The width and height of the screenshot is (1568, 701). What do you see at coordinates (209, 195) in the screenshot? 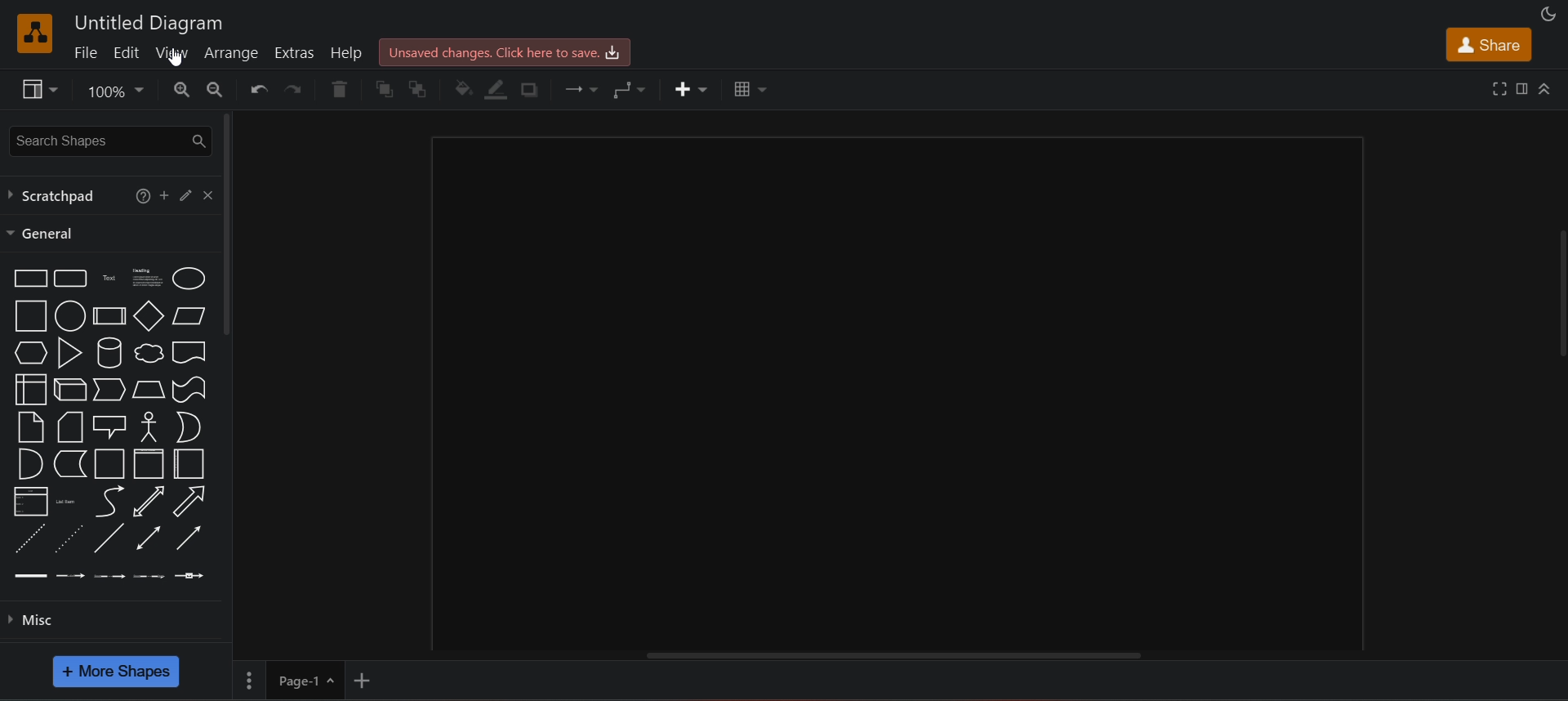
I see `close` at bounding box center [209, 195].